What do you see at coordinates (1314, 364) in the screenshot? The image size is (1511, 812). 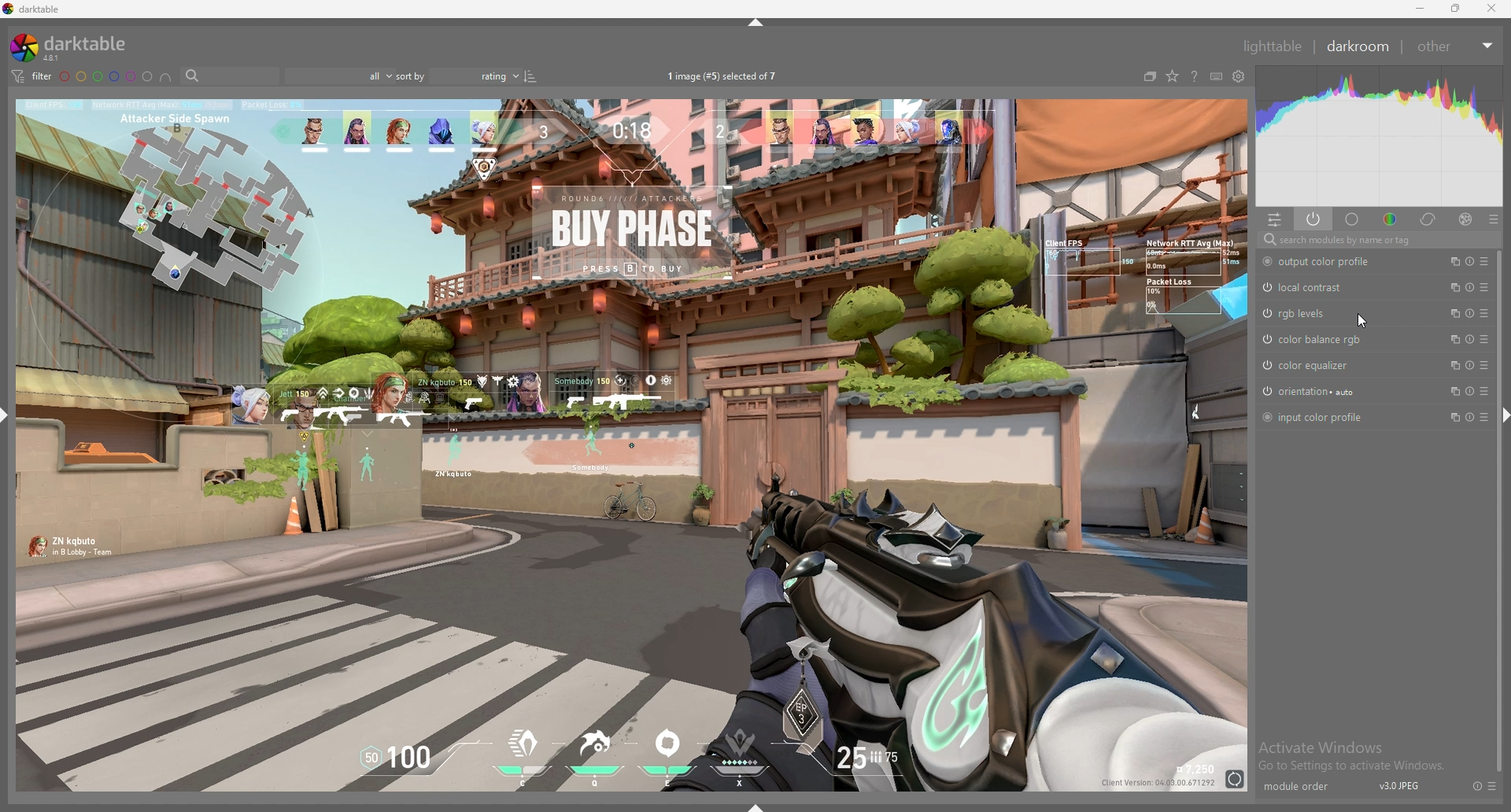 I see `color equalizer` at bounding box center [1314, 364].